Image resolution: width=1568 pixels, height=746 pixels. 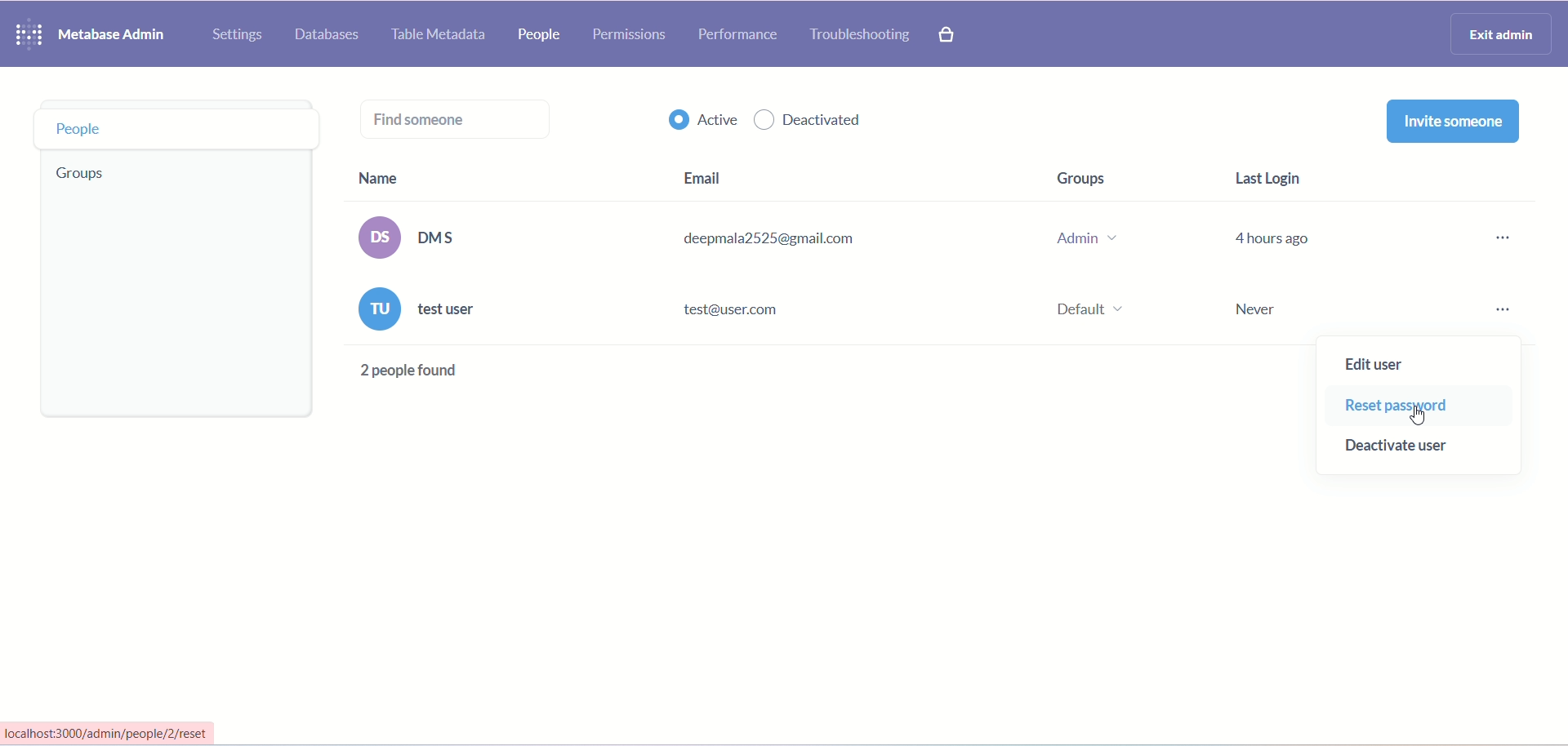 What do you see at coordinates (118, 38) in the screenshot?
I see `metabase admin` at bounding box center [118, 38].